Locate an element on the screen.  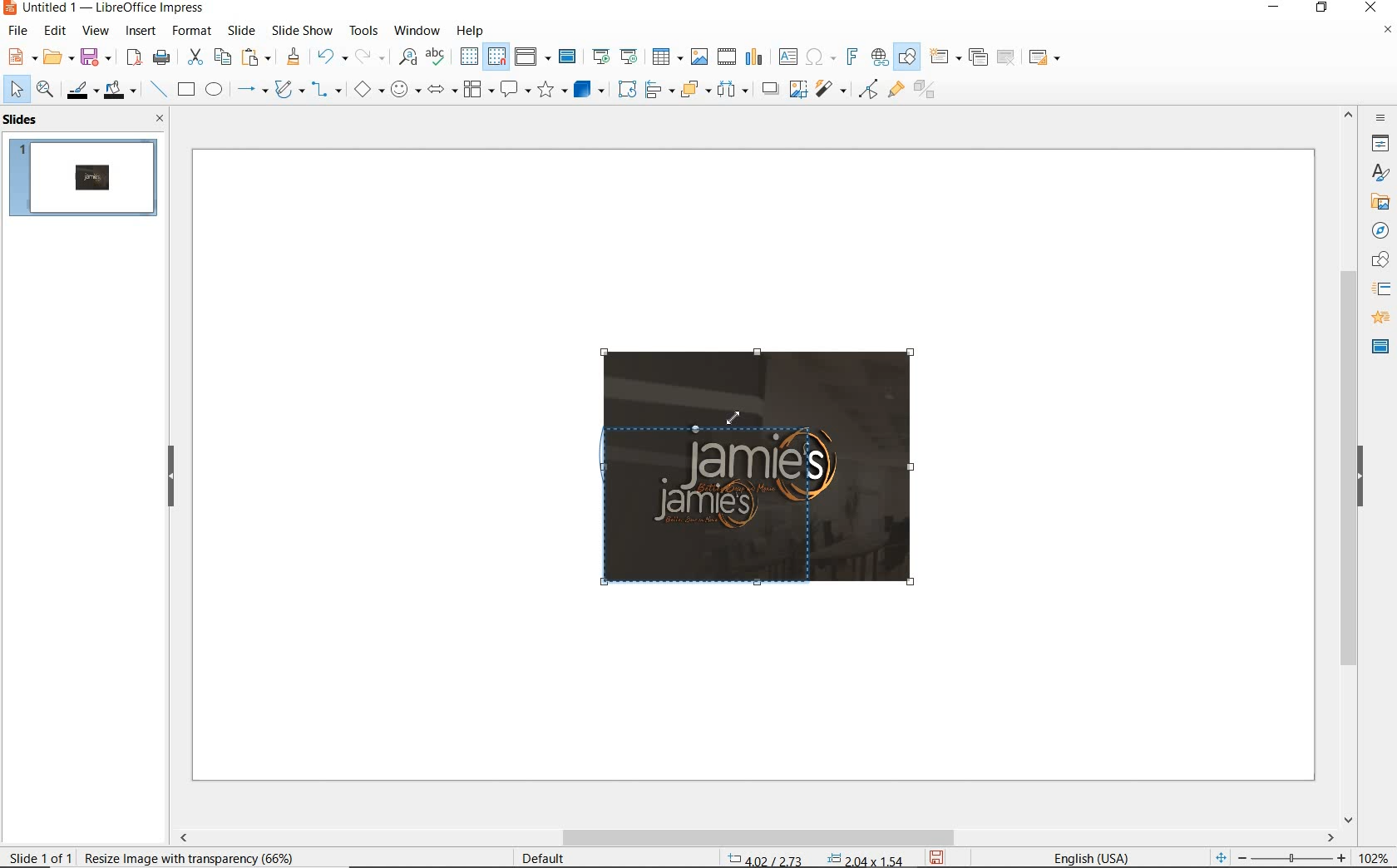
fill color is located at coordinates (122, 91).